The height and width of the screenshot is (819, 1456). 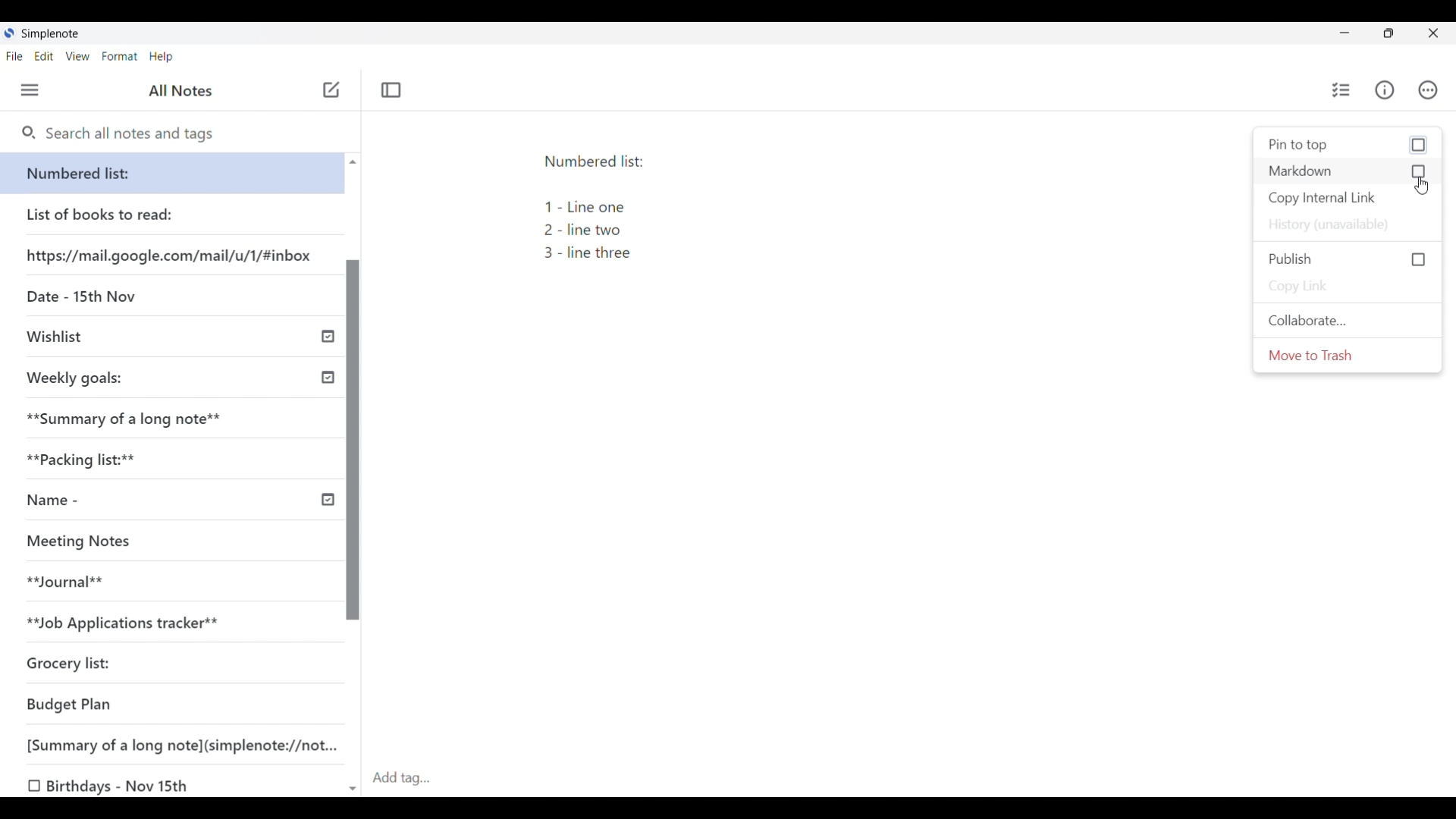 What do you see at coordinates (115, 215) in the screenshot?
I see `List of books to read:` at bounding box center [115, 215].